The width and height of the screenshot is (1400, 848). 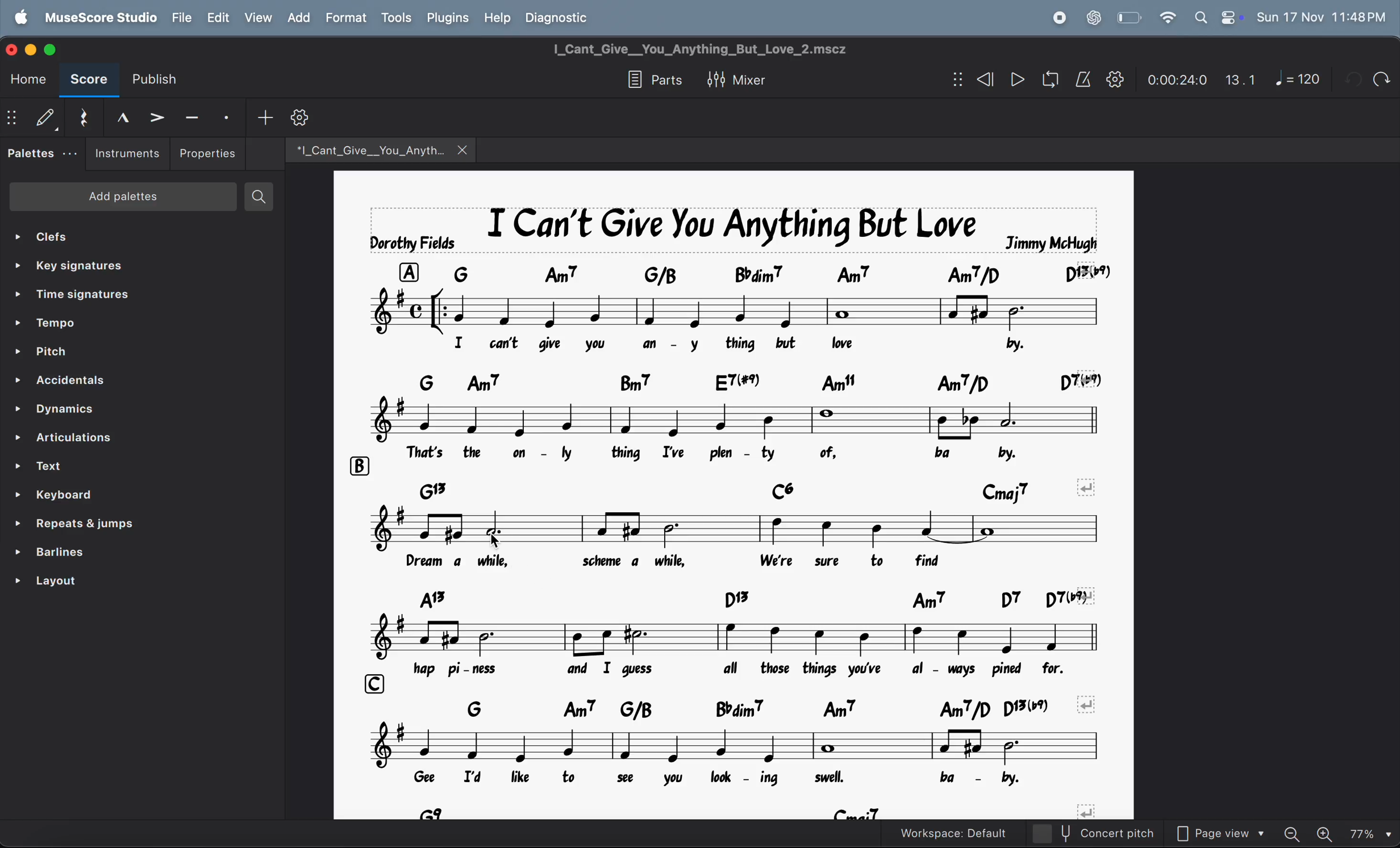 I want to click on reset, so click(x=84, y=119).